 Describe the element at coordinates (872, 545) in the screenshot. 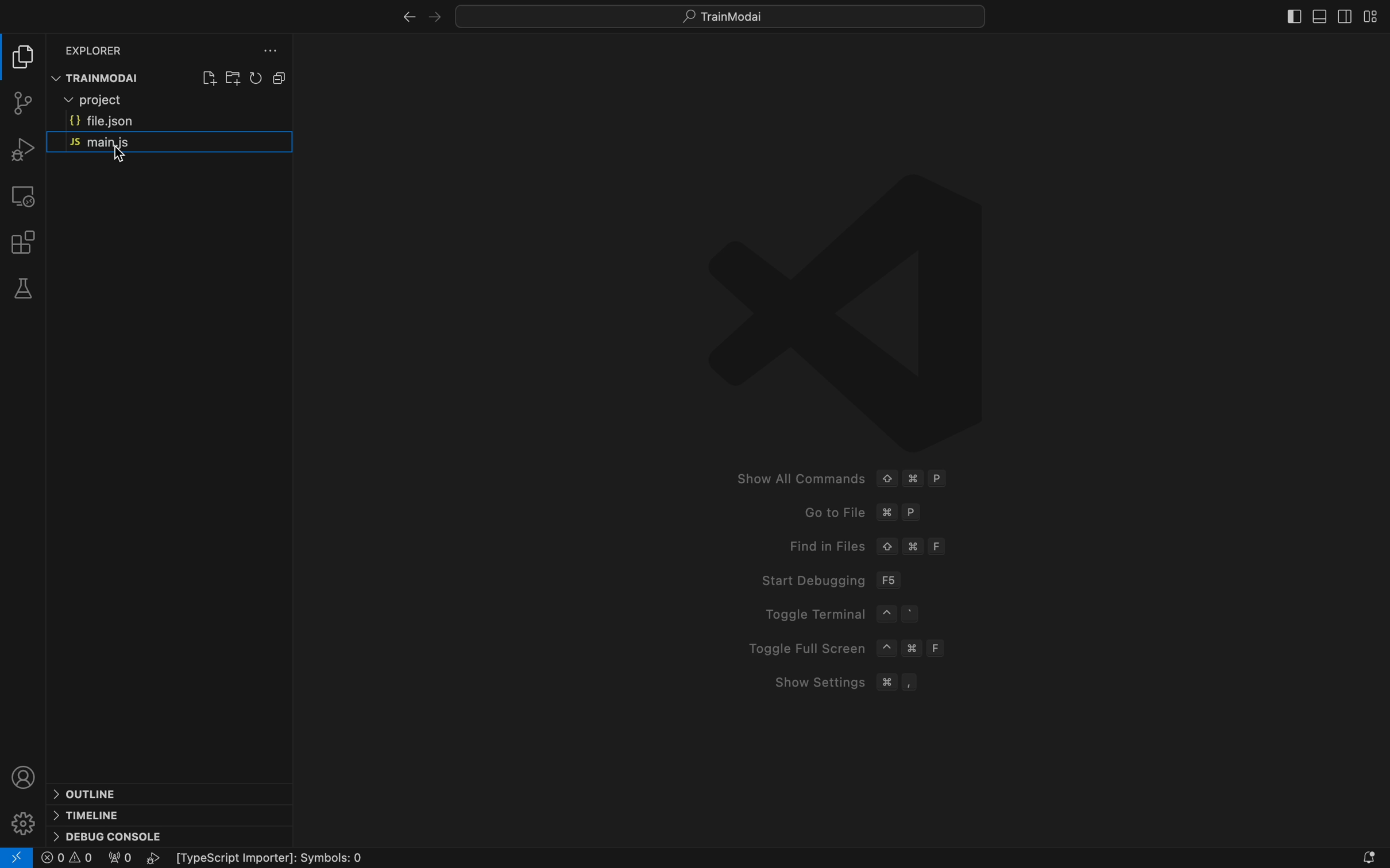

I see `Find in files` at that location.